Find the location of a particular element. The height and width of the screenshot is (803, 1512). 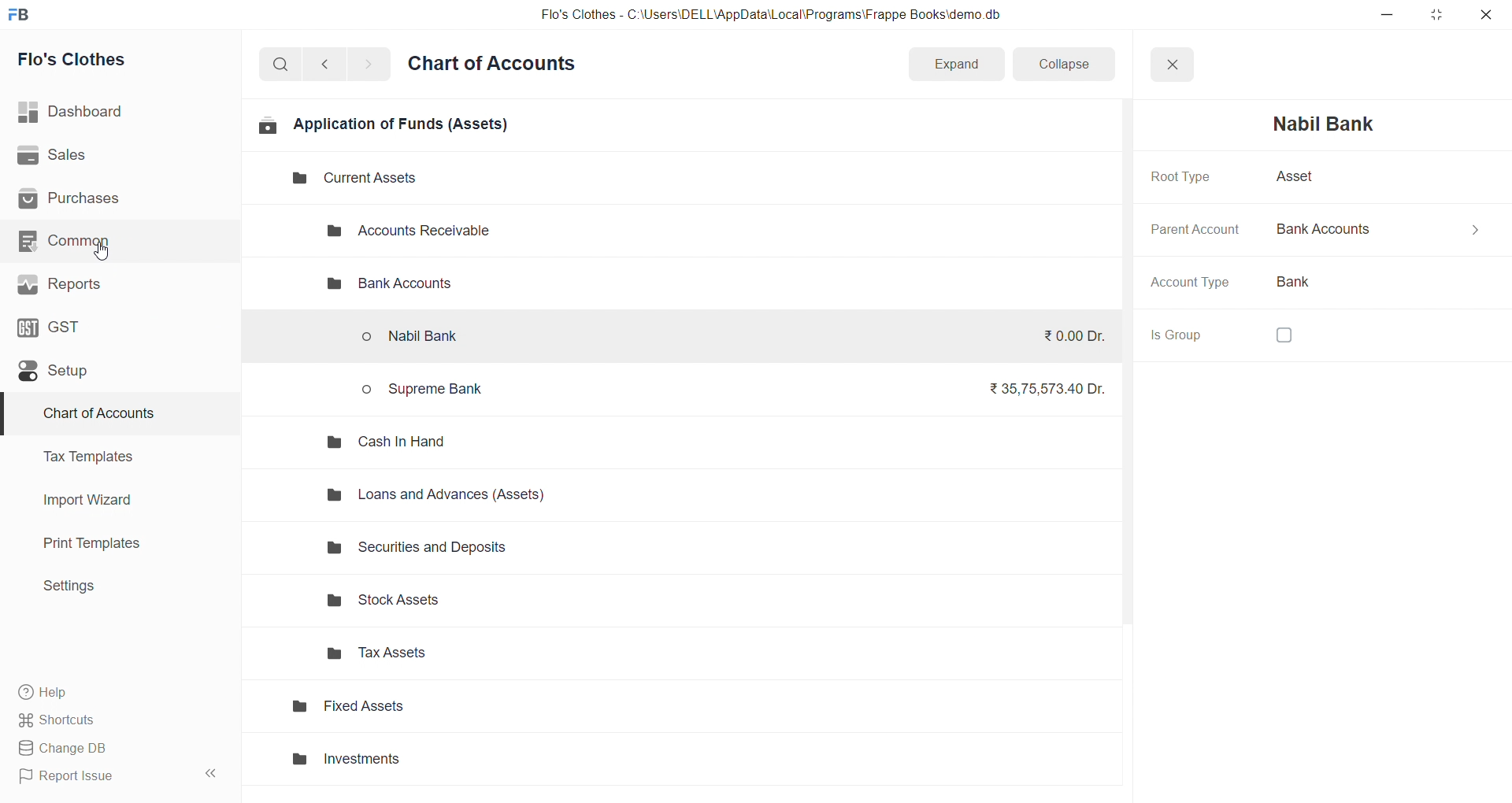

close window is located at coordinates (1172, 65).